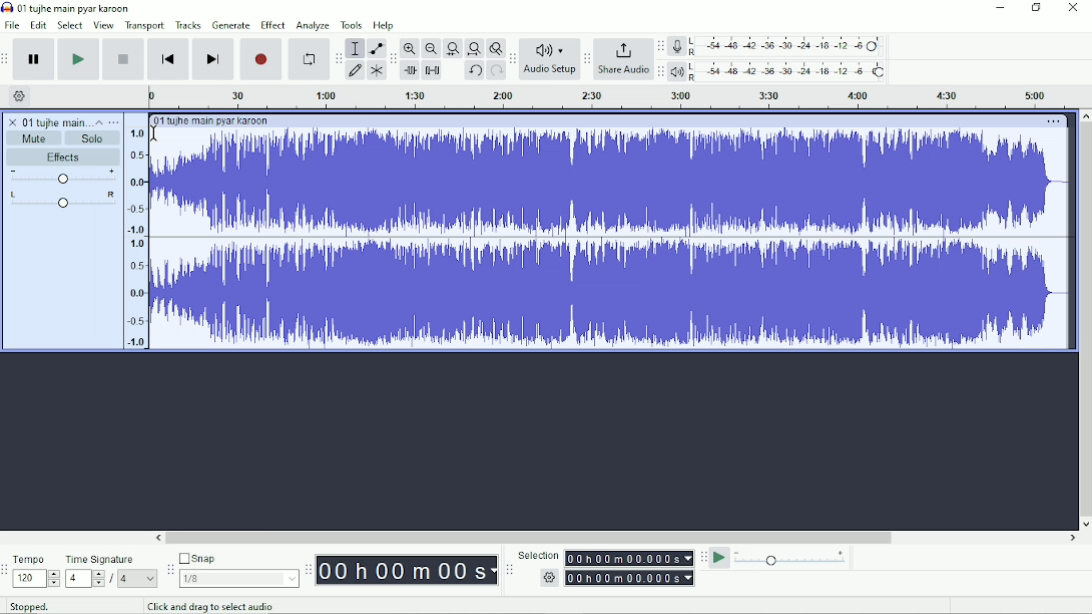  What do you see at coordinates (538, 554) in the screenshot?
I see `Selection` at bounding box center [538, 554].